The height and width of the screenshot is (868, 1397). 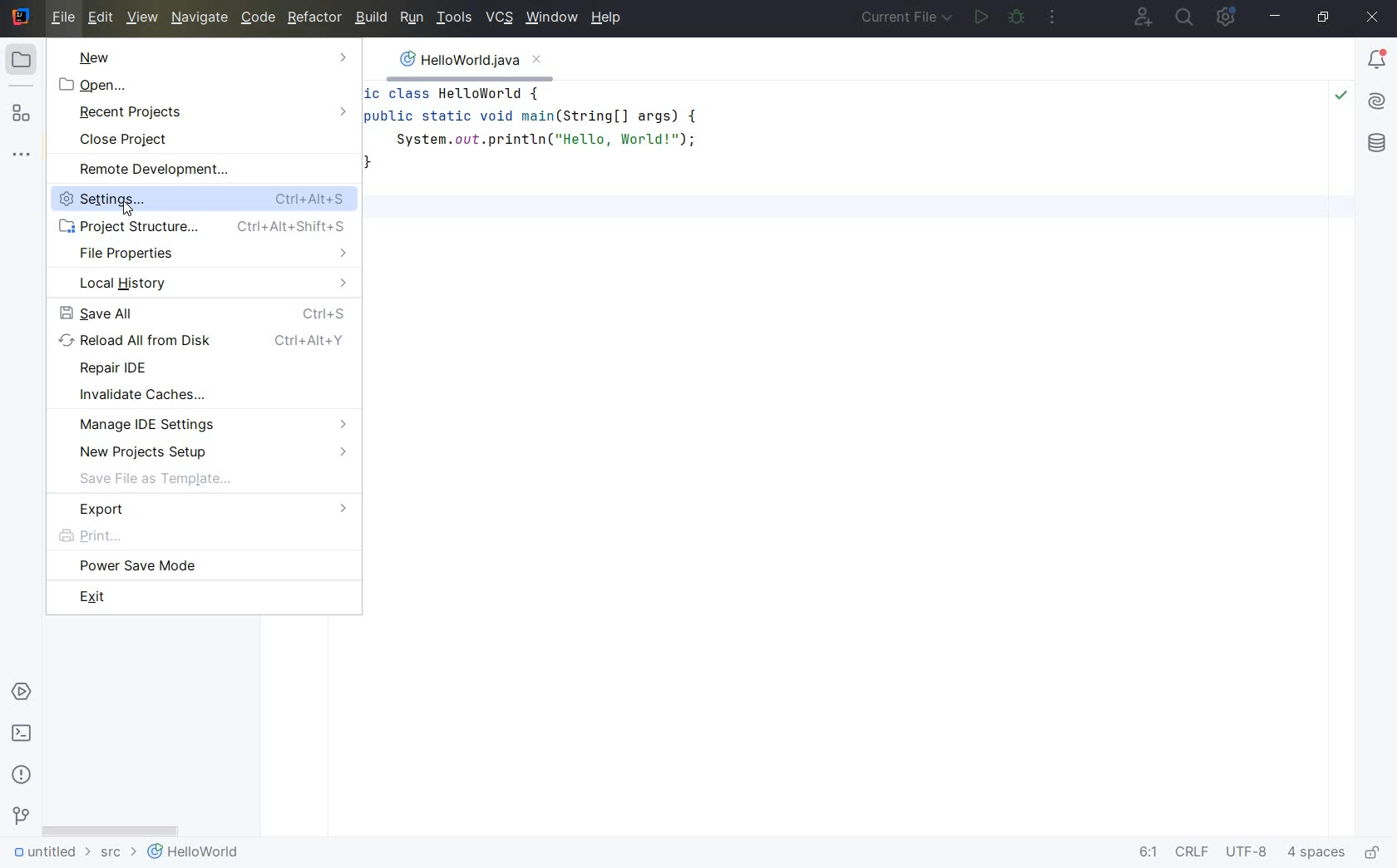 What do you see at coordinates (792, 156) in the screenshot?
I see `CODES` at bounding box center [792, 156].